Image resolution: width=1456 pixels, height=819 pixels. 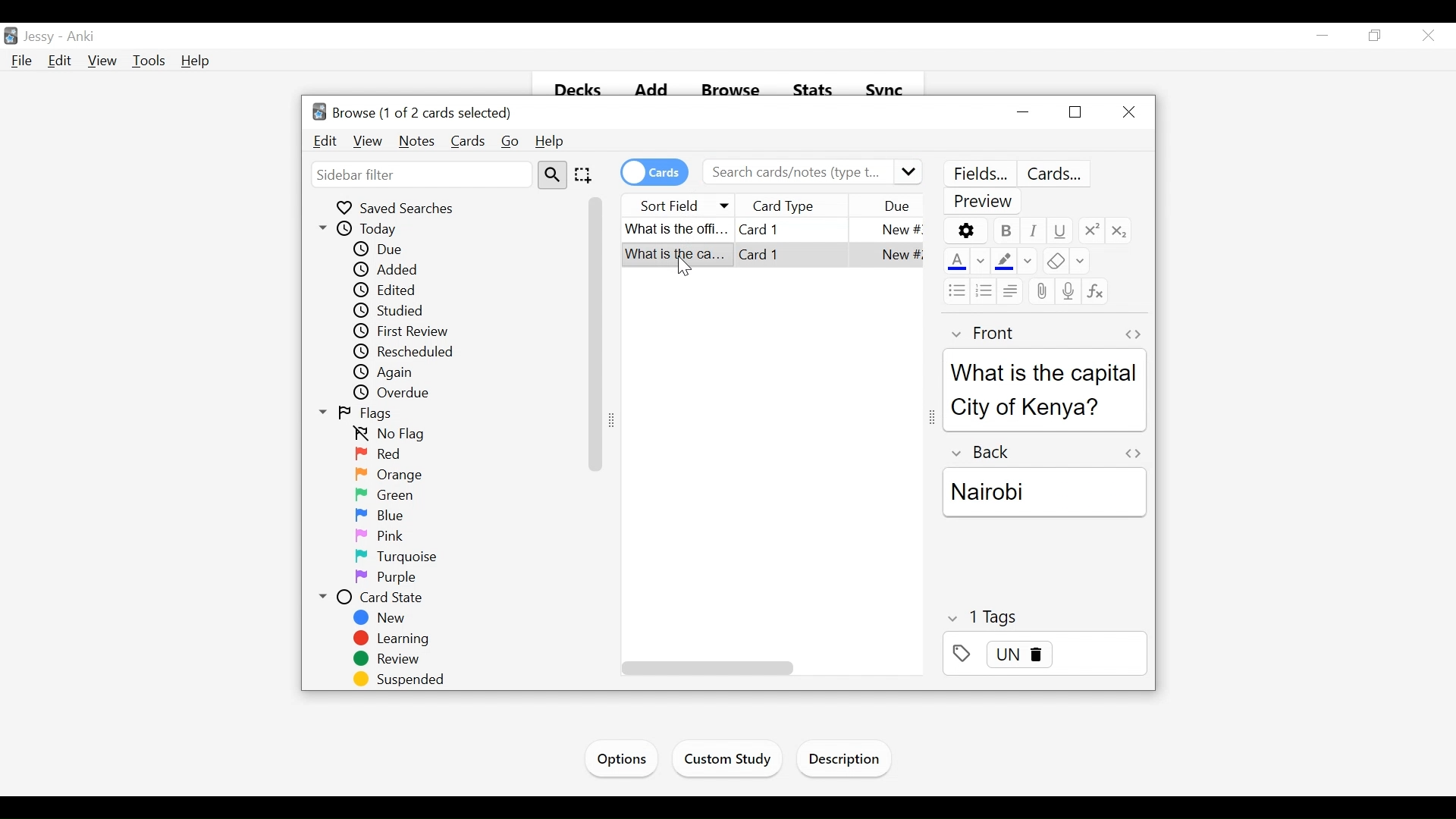 What do you see at coordinates (377, 536) in the screenshot?
I see `Pink` at bounding box center [377, 536].